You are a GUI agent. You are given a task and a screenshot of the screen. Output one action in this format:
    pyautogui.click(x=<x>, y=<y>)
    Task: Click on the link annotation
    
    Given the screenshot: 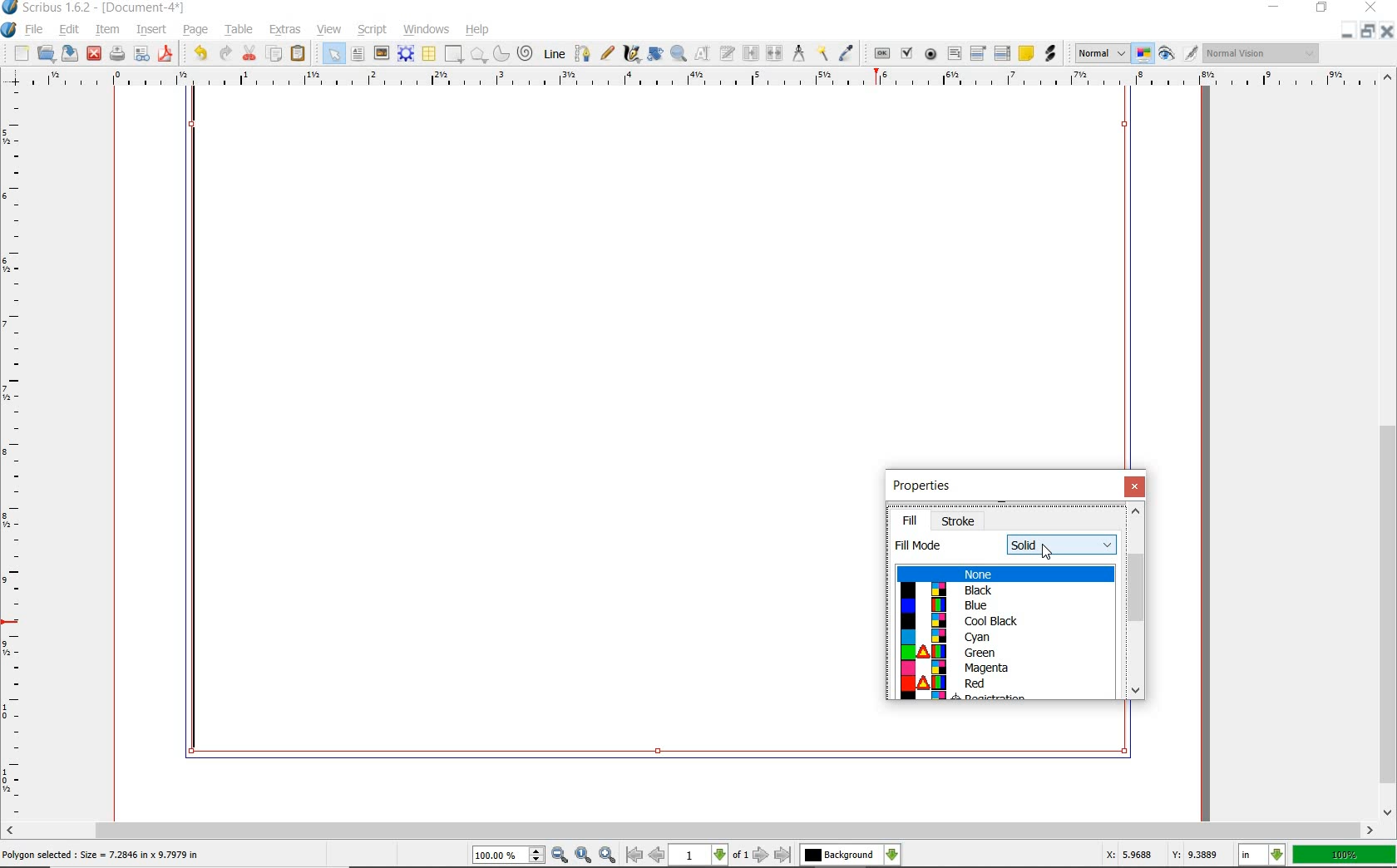 What is the action you would take?
    pyautogui.click(x=1049, y=55)
    